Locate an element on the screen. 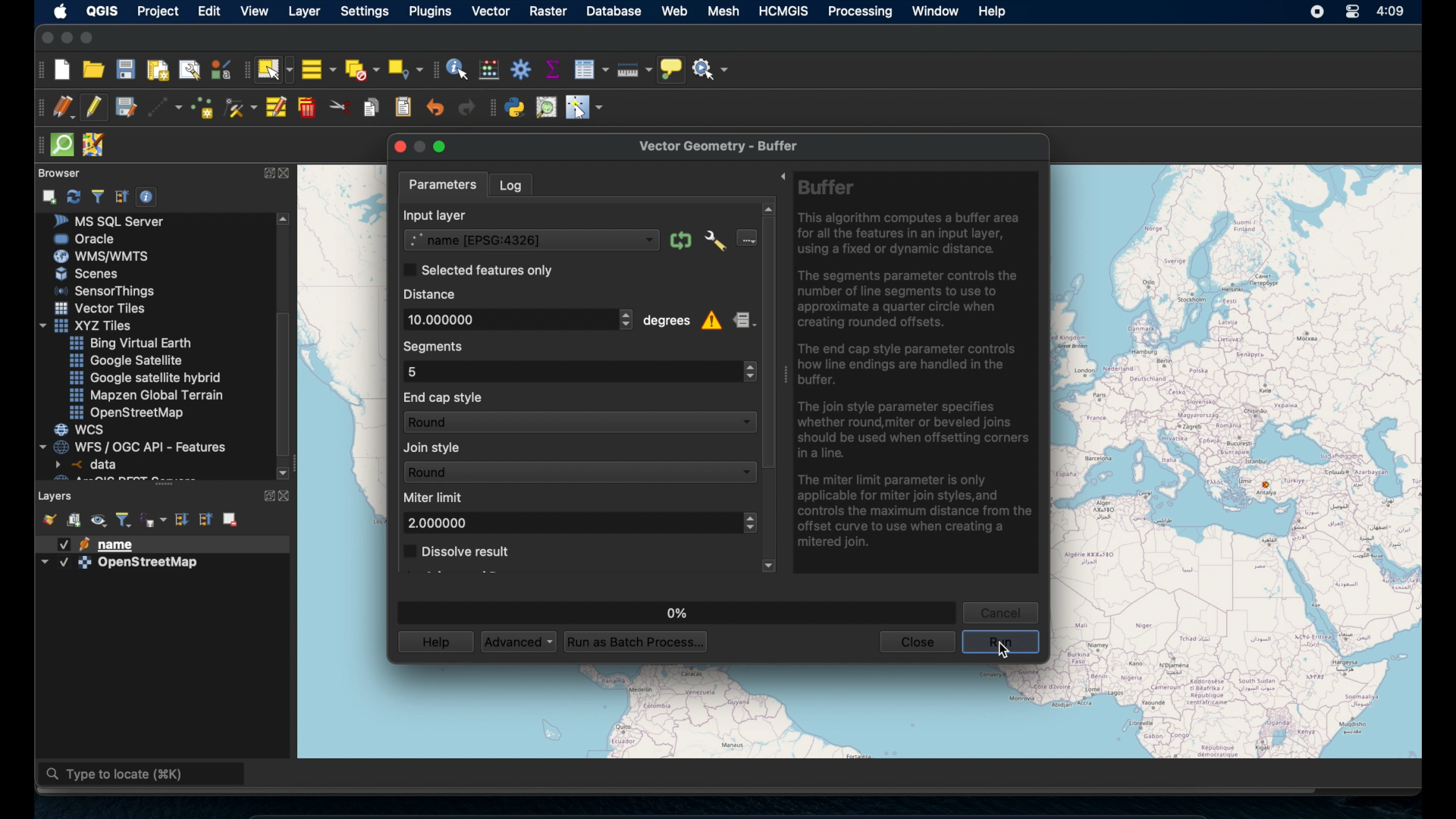 The height and width of the screenshot is (819, 1456). toolbox is located at coordinates (521, 70).